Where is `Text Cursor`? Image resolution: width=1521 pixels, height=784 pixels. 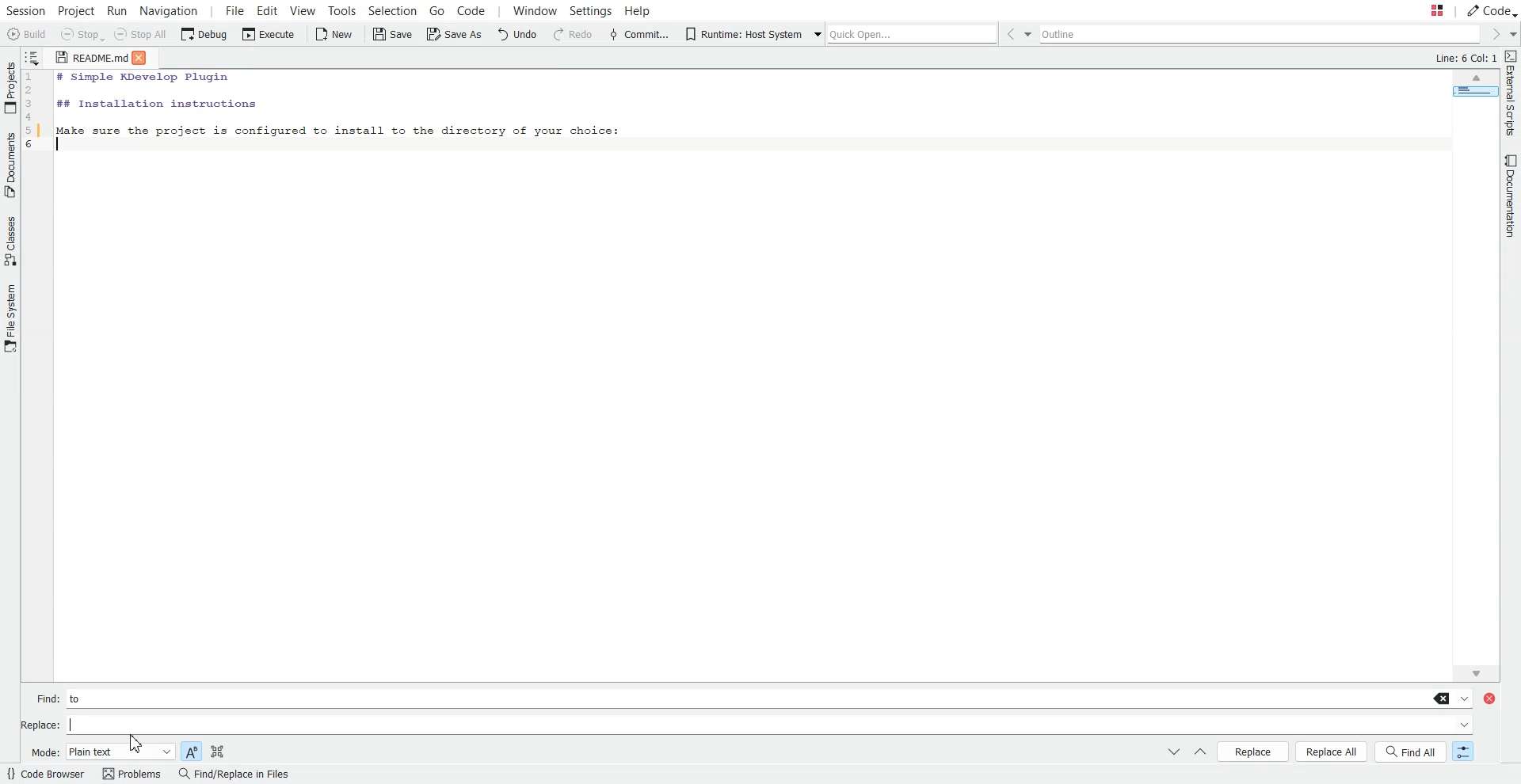 Text Cursor is located at coordinates (62, 146).